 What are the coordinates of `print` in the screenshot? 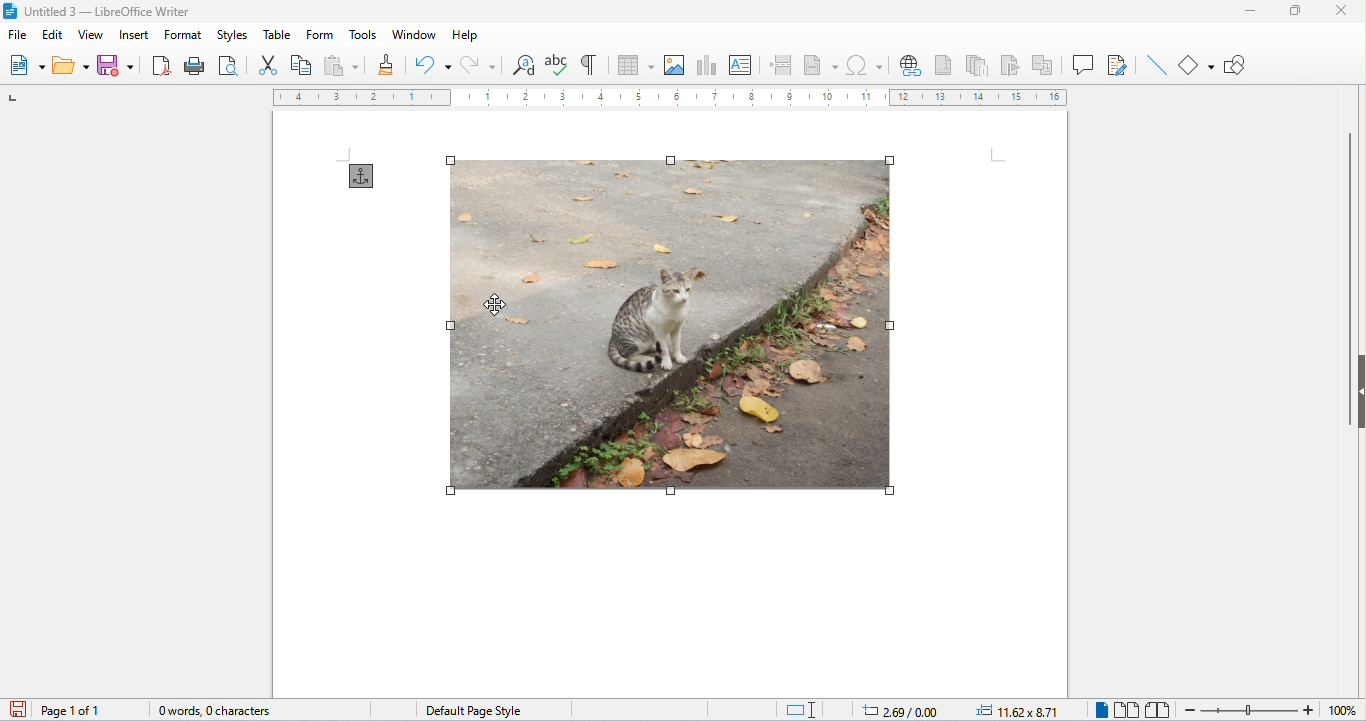 It's located at (197, 66).